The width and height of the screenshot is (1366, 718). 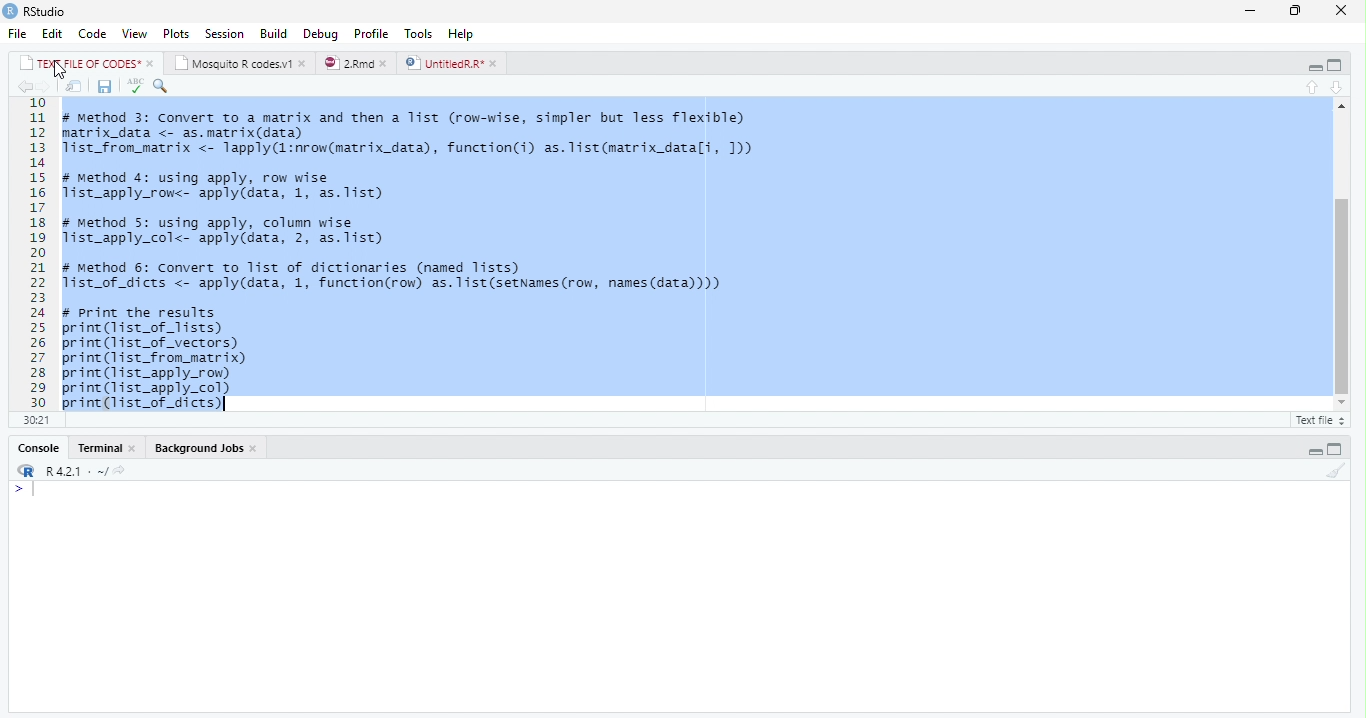 I want to click on Session, so click(x=226, y=33).